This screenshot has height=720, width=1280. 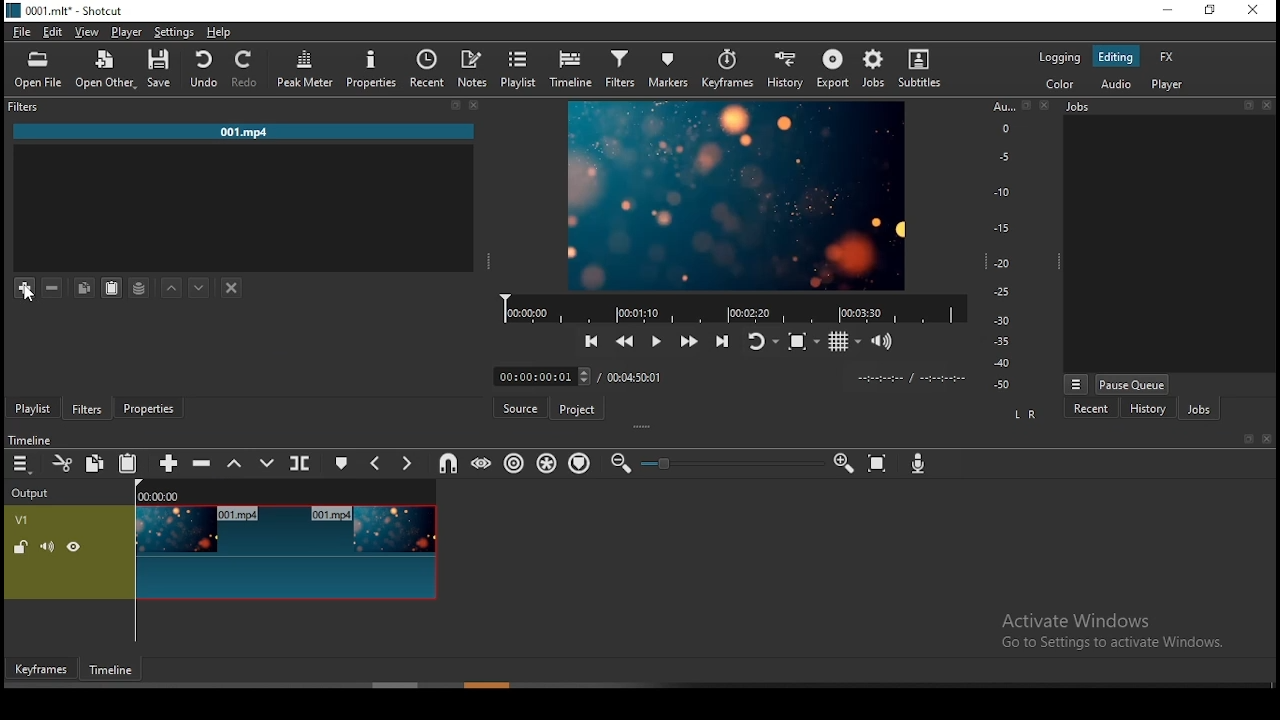 What do you see at coordinates (444, 464) in the screenshot?
I see `snap` at bounding box center [444, 464].